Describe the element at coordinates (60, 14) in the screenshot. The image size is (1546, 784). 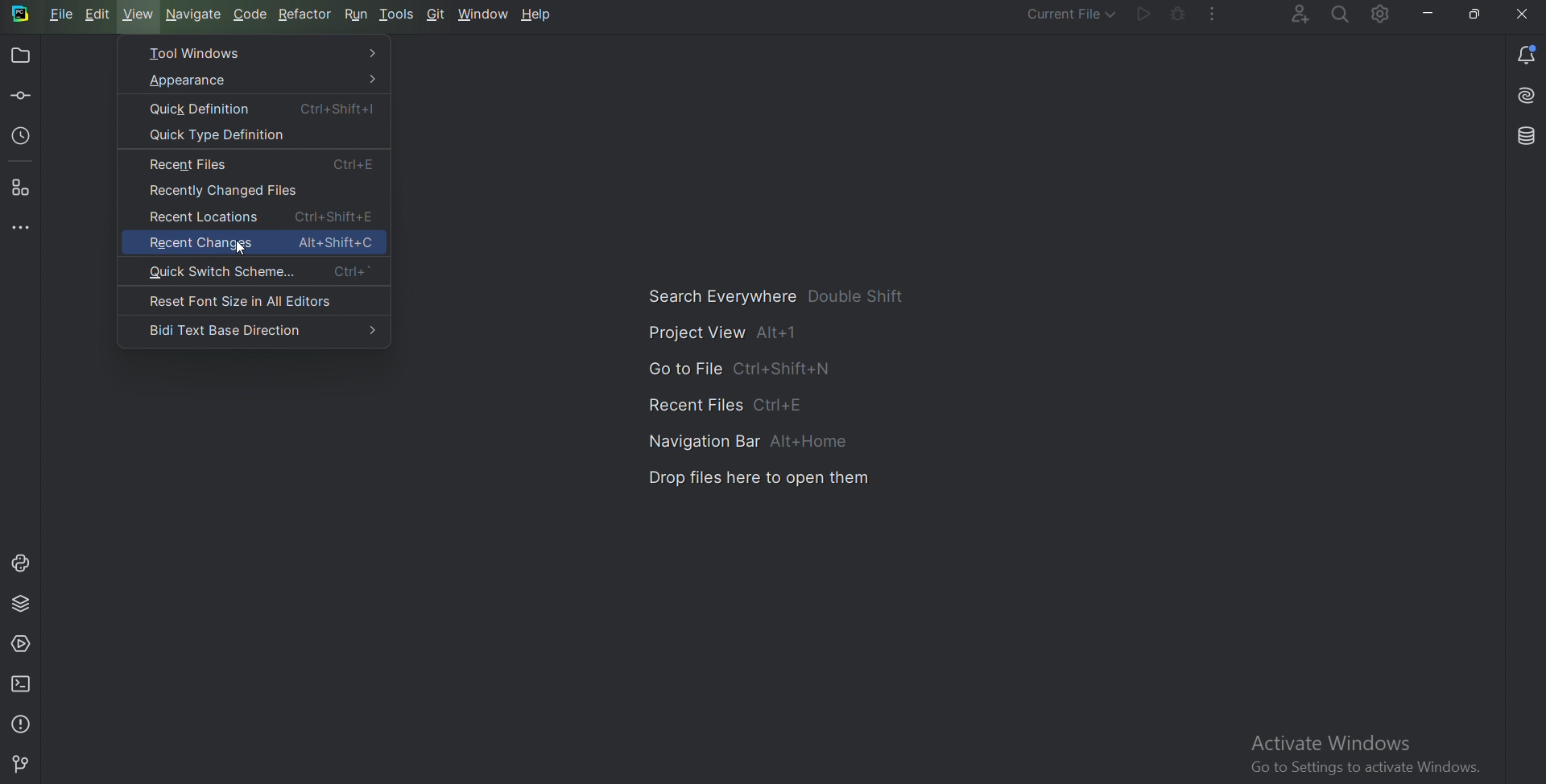
I see `file` at that location.